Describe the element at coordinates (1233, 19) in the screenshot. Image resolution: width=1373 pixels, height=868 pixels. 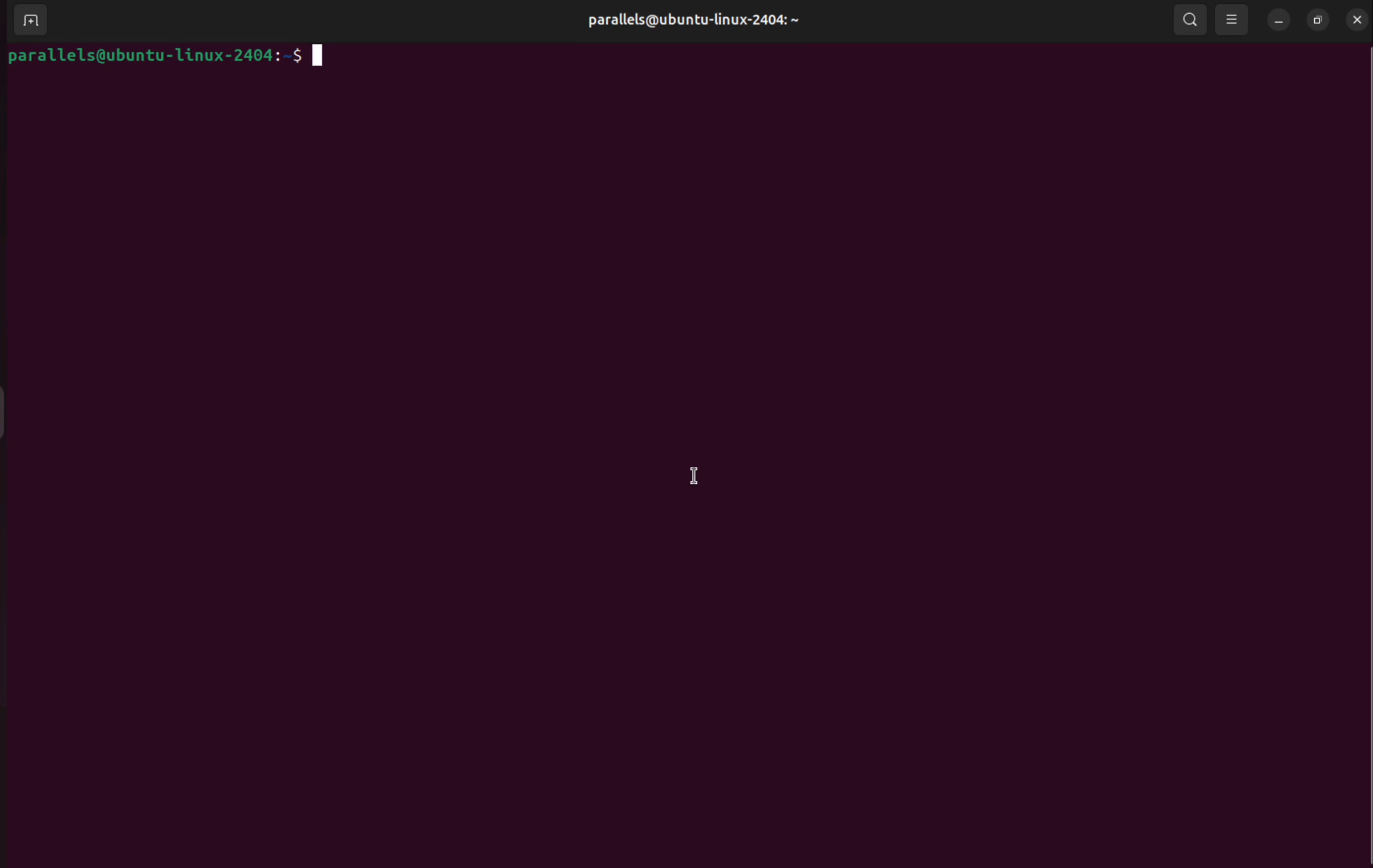
I see `view options` at that location.